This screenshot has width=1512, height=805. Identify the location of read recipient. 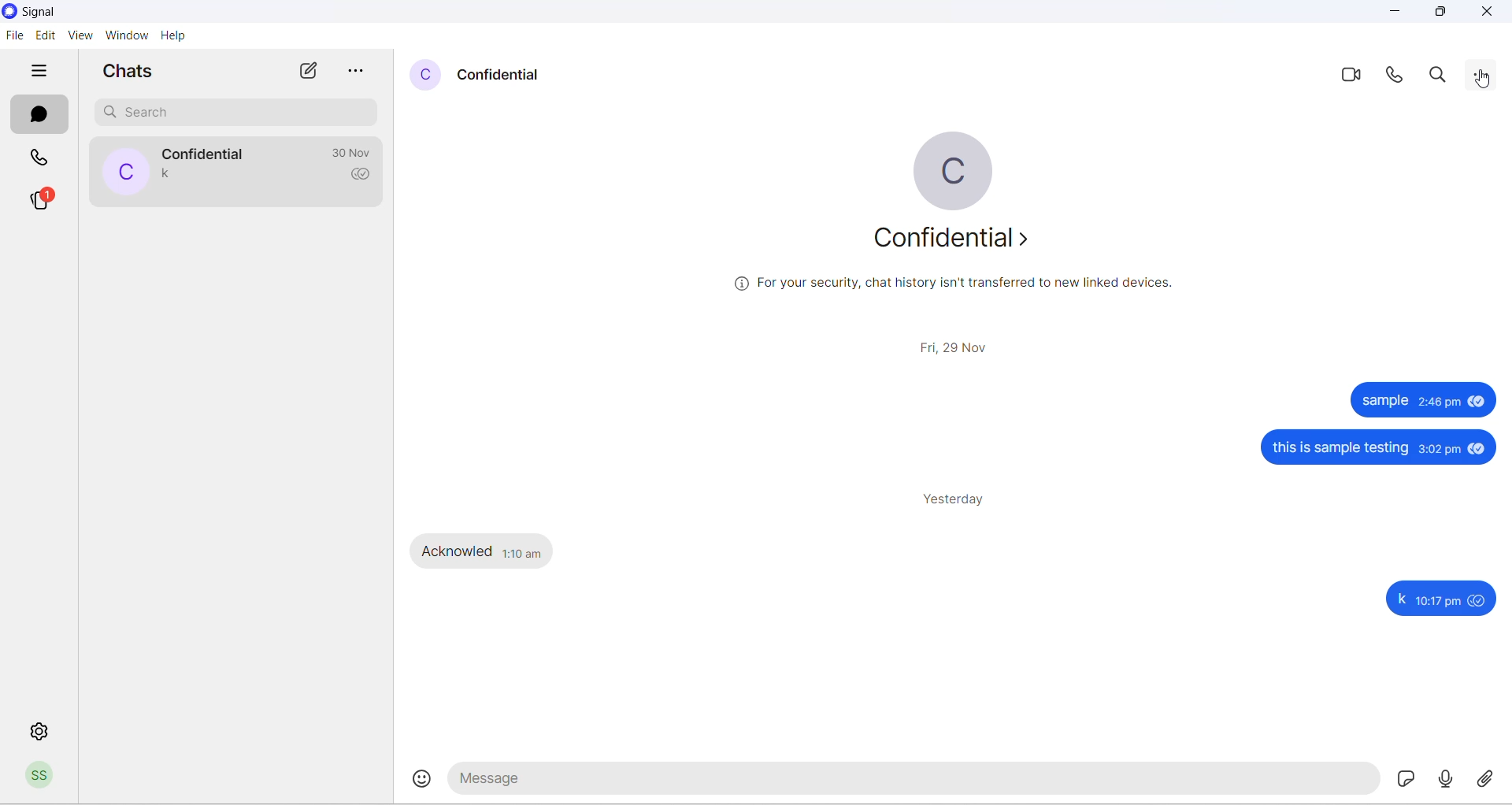
(363, 176).